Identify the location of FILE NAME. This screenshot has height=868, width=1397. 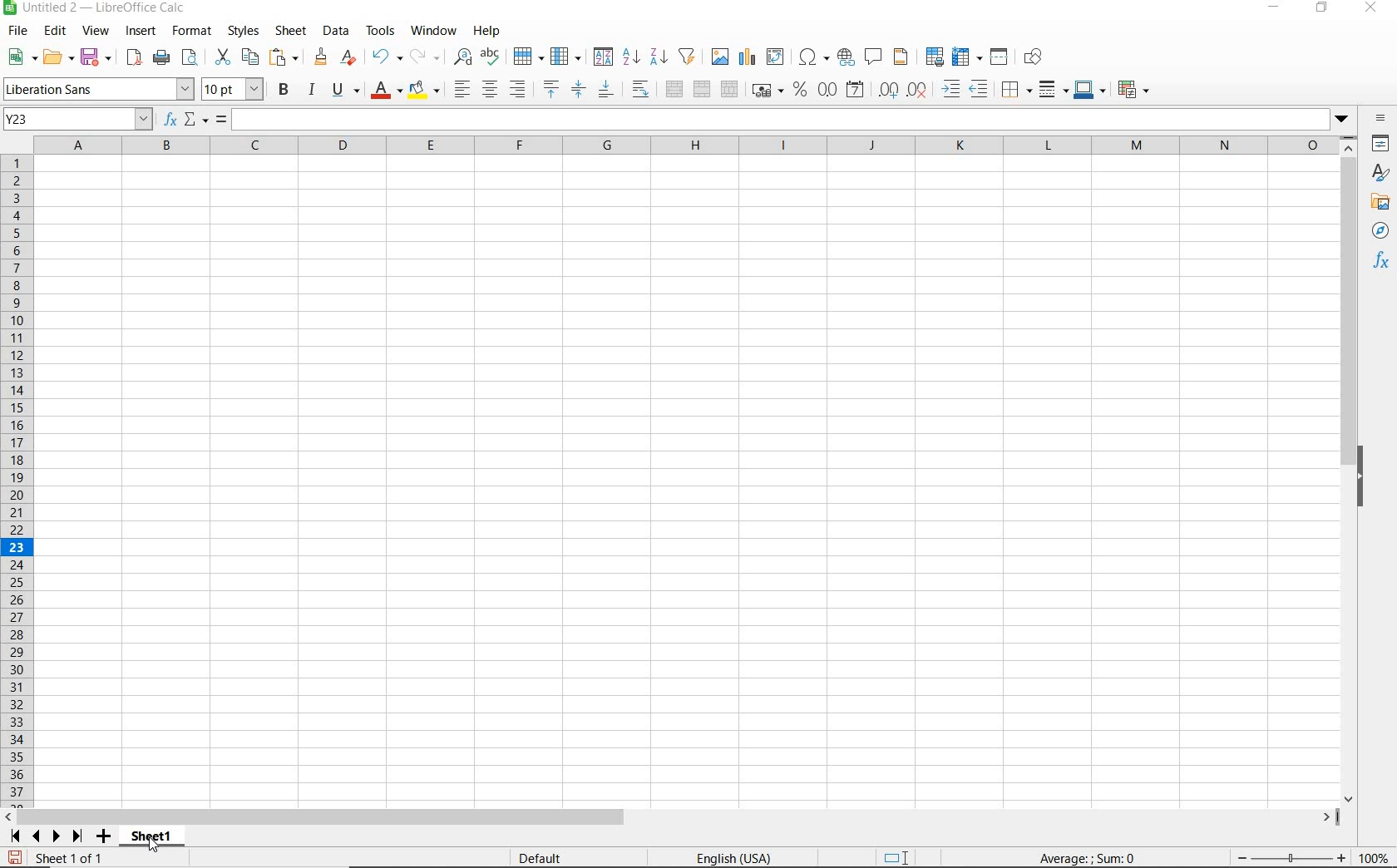
(97, 9).